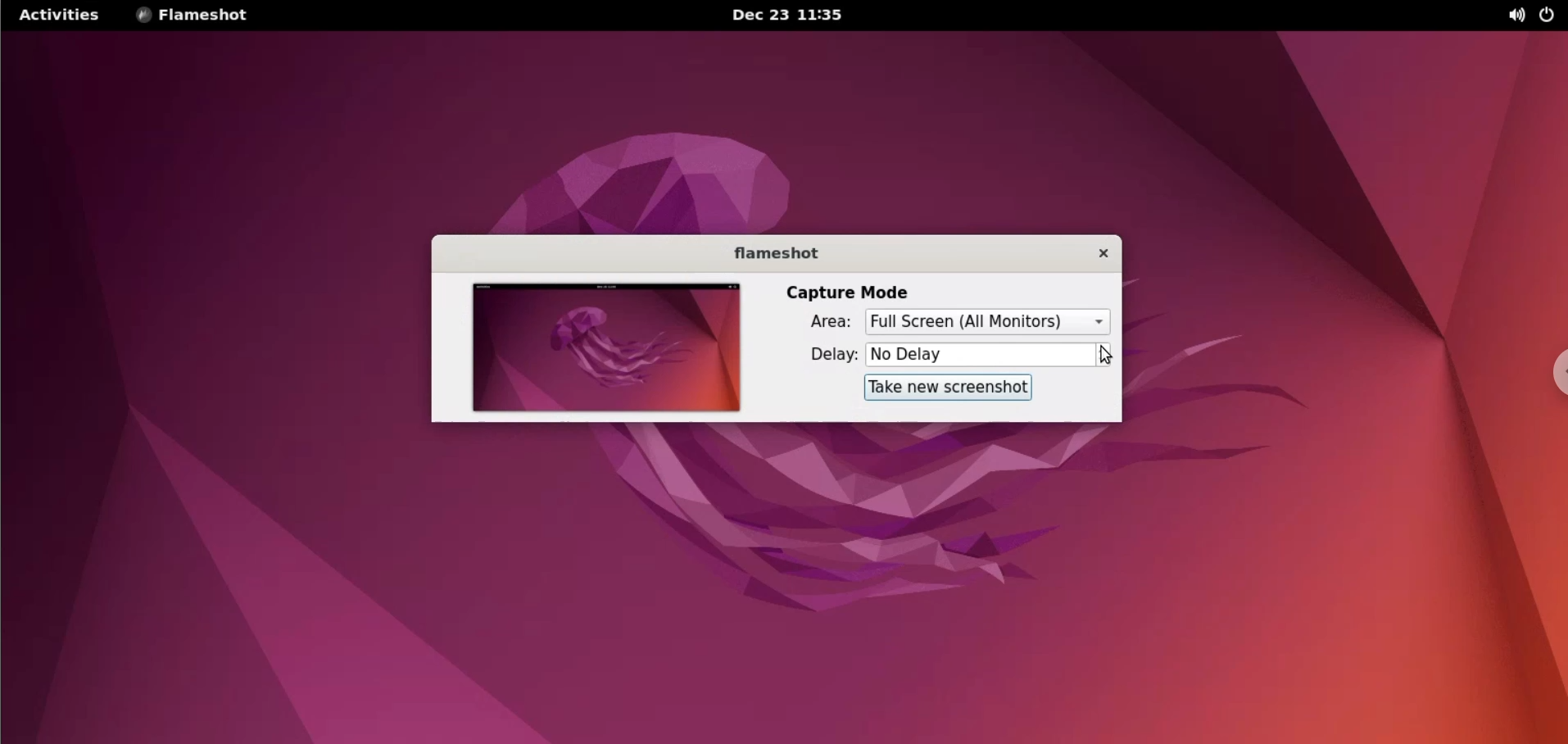  Describe the element at coordinates (776, 252) in the screenshot. I see `flameshot` at that location.